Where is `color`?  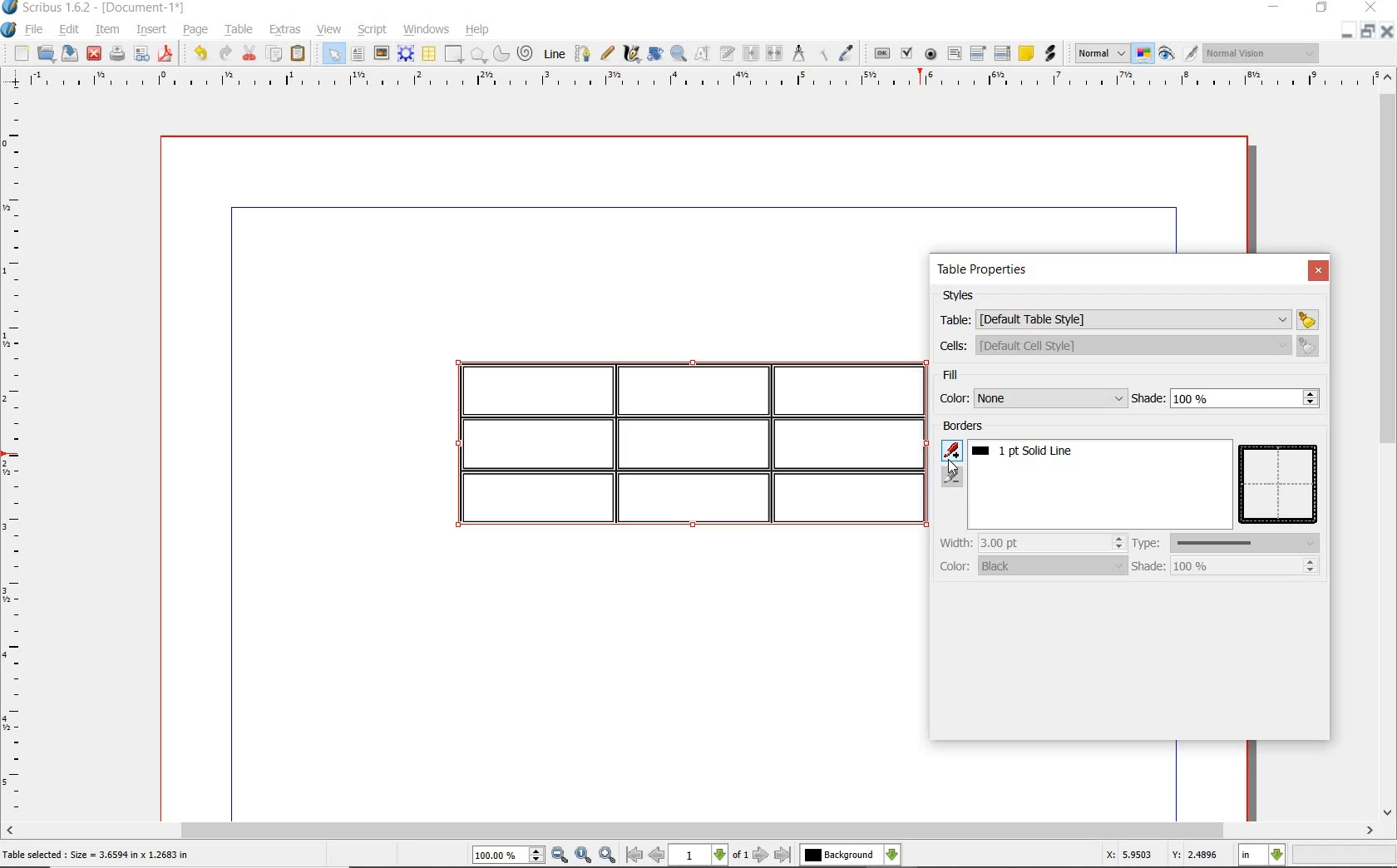
color is located at coordinates (1033, 565).